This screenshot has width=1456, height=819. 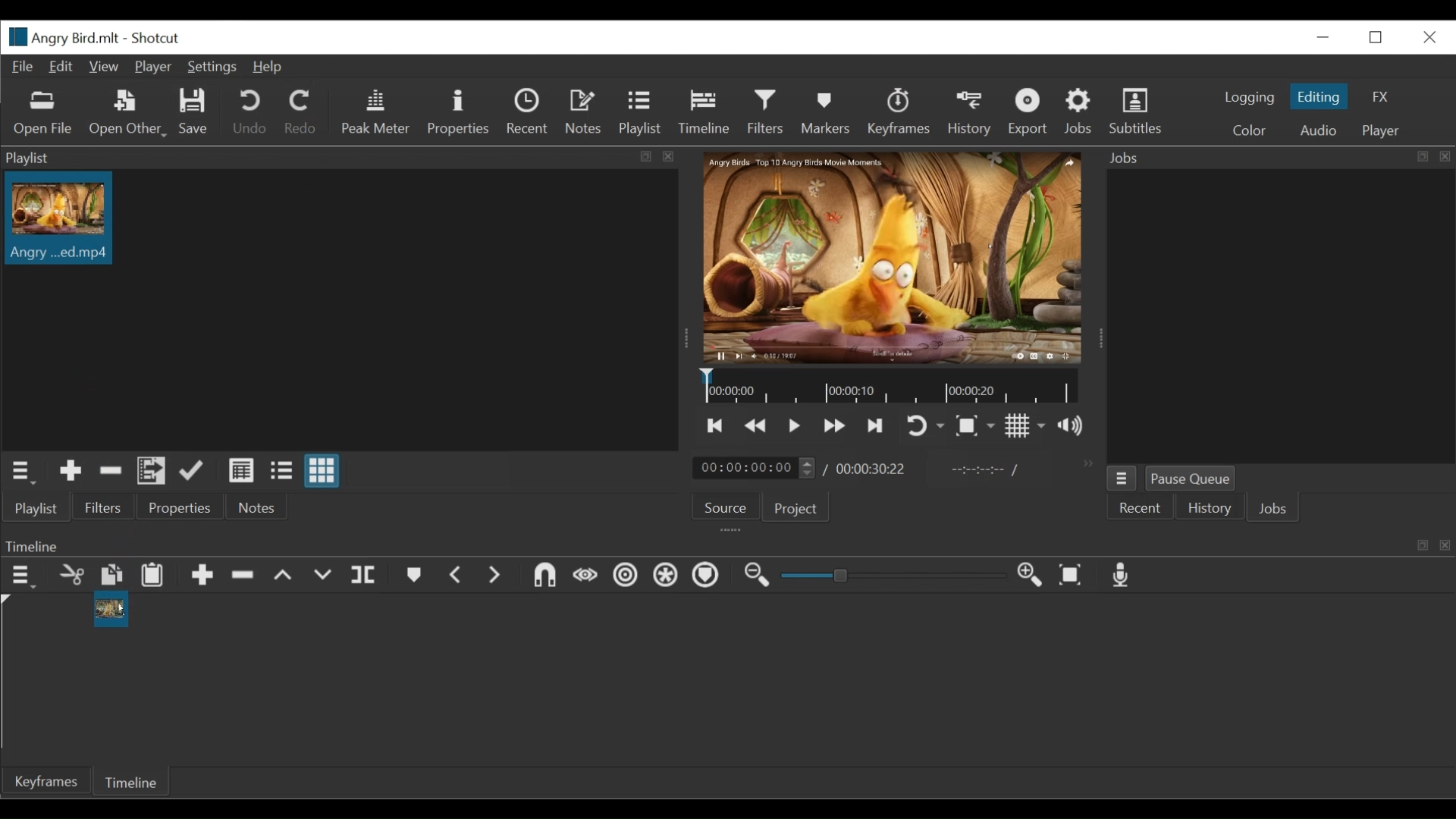 What do you see at coordinates (1210, 510) in the screenshot?
I see `History` at bounding box center [1210, 510].